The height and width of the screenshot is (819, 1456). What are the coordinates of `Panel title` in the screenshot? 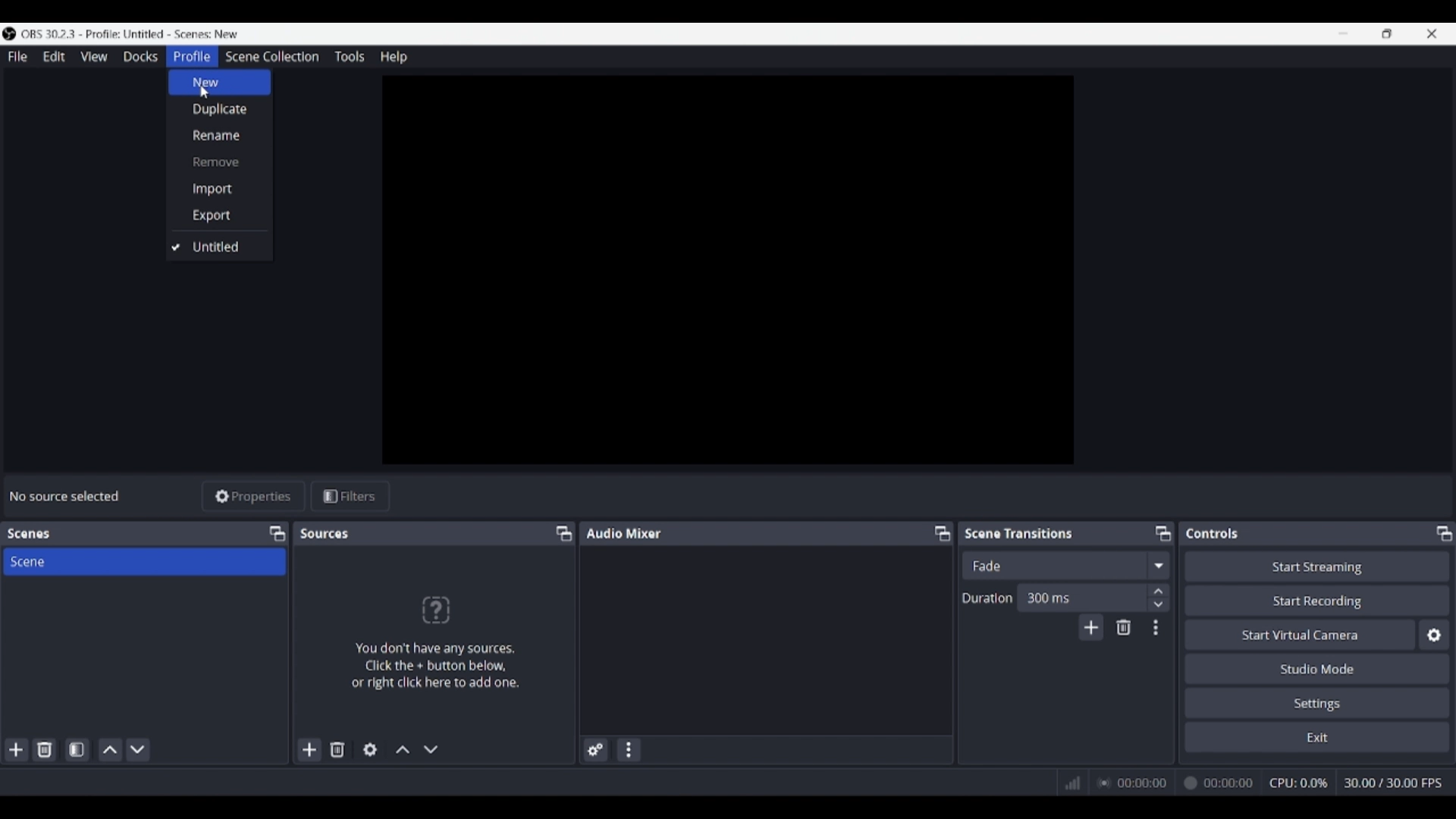 It's located at (1213, 533).